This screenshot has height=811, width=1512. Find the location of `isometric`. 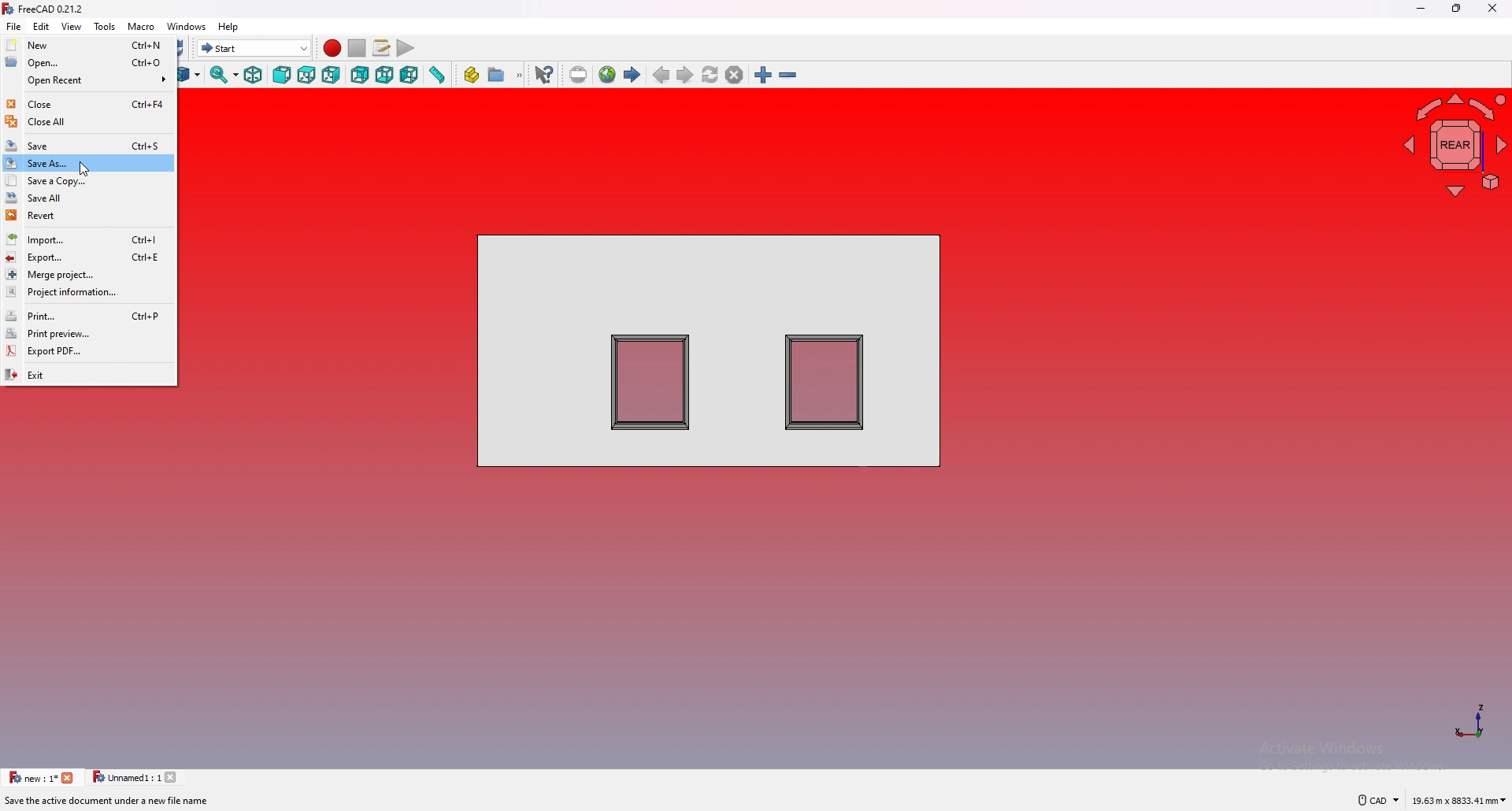

isometric is located at coordinates (255, 75).